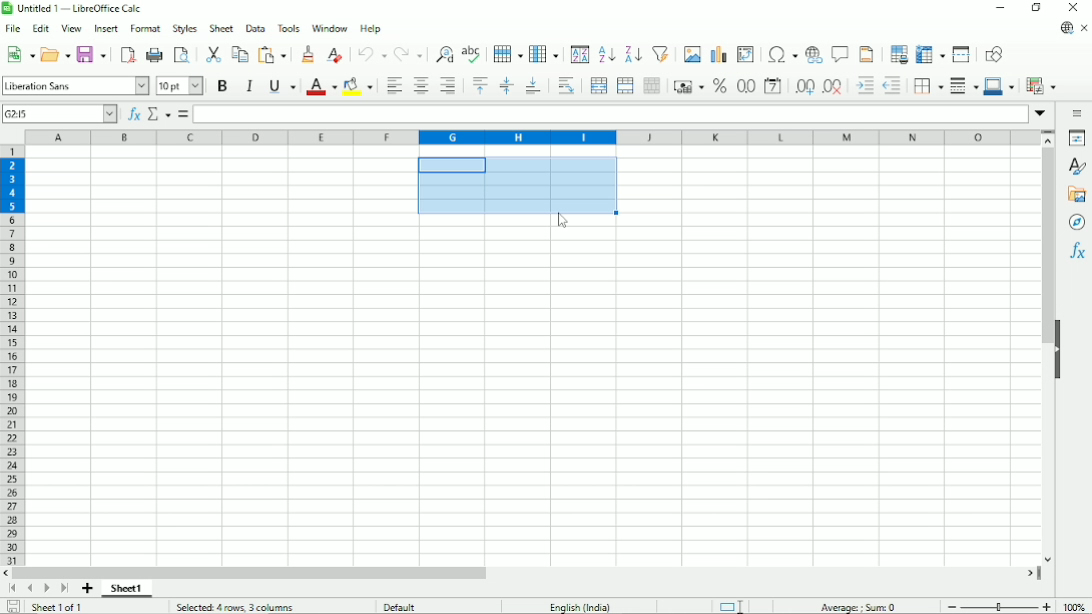 This screenshot has height=614, width=1092. Describe the element at coordinates (249, 86) in the screenshot. I see `Italic` at that location.